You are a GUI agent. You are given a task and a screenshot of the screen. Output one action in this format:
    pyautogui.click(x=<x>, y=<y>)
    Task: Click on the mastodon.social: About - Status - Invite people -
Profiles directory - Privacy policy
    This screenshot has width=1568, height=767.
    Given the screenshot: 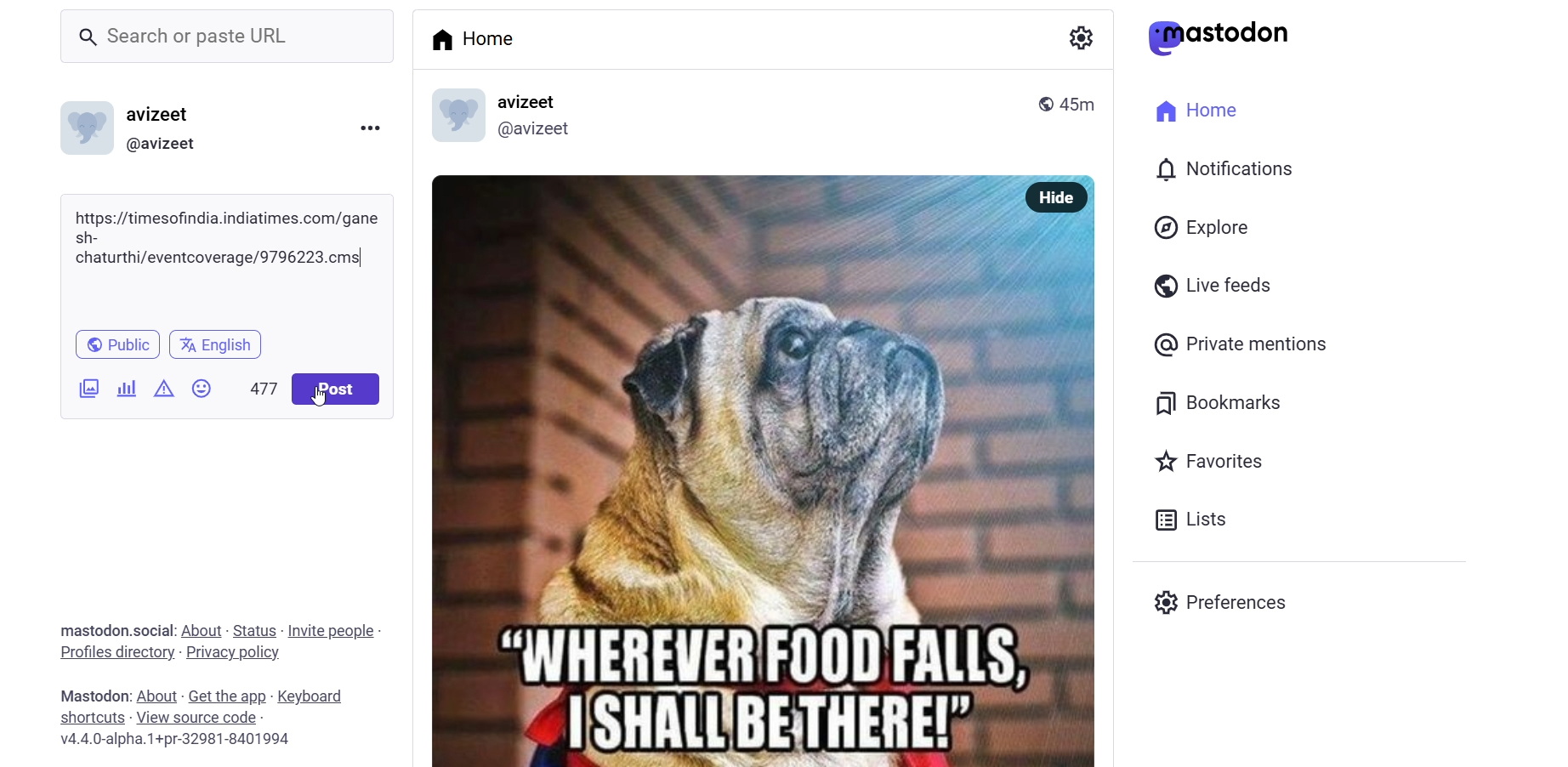 What is the action you would take?
    pyautogui.click(x=219, y=642)
    